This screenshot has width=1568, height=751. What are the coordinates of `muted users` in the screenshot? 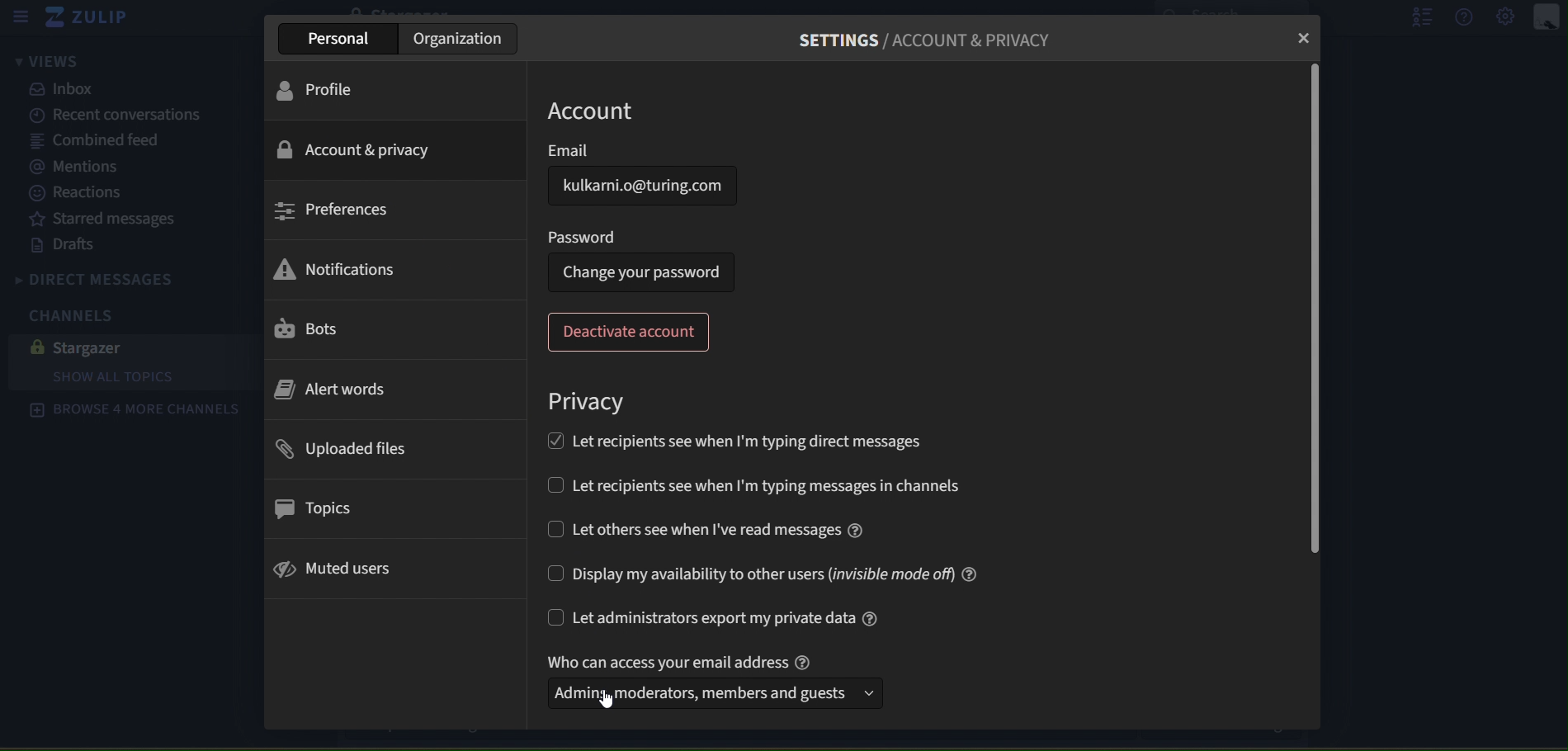 It's located at (339, 568).